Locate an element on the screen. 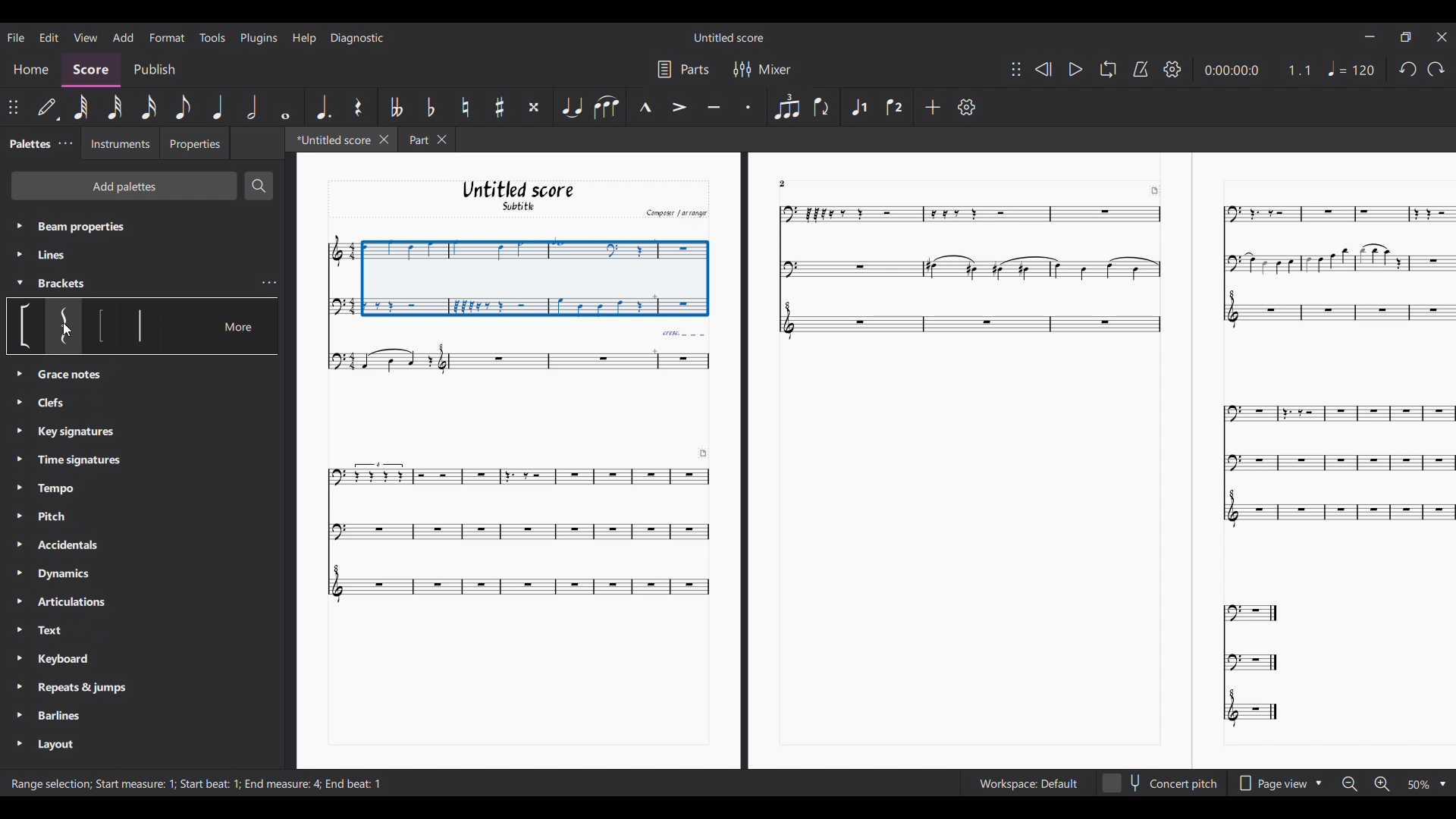  Mixer settings is located at coordinates (775, 69).